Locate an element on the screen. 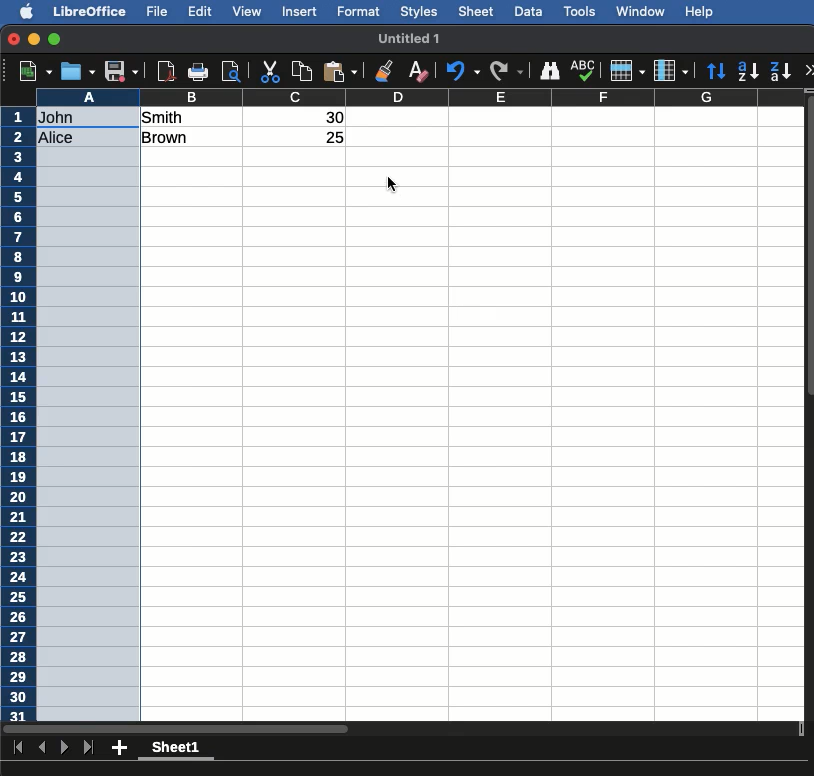  Cut is located at coordinates (271, 69).